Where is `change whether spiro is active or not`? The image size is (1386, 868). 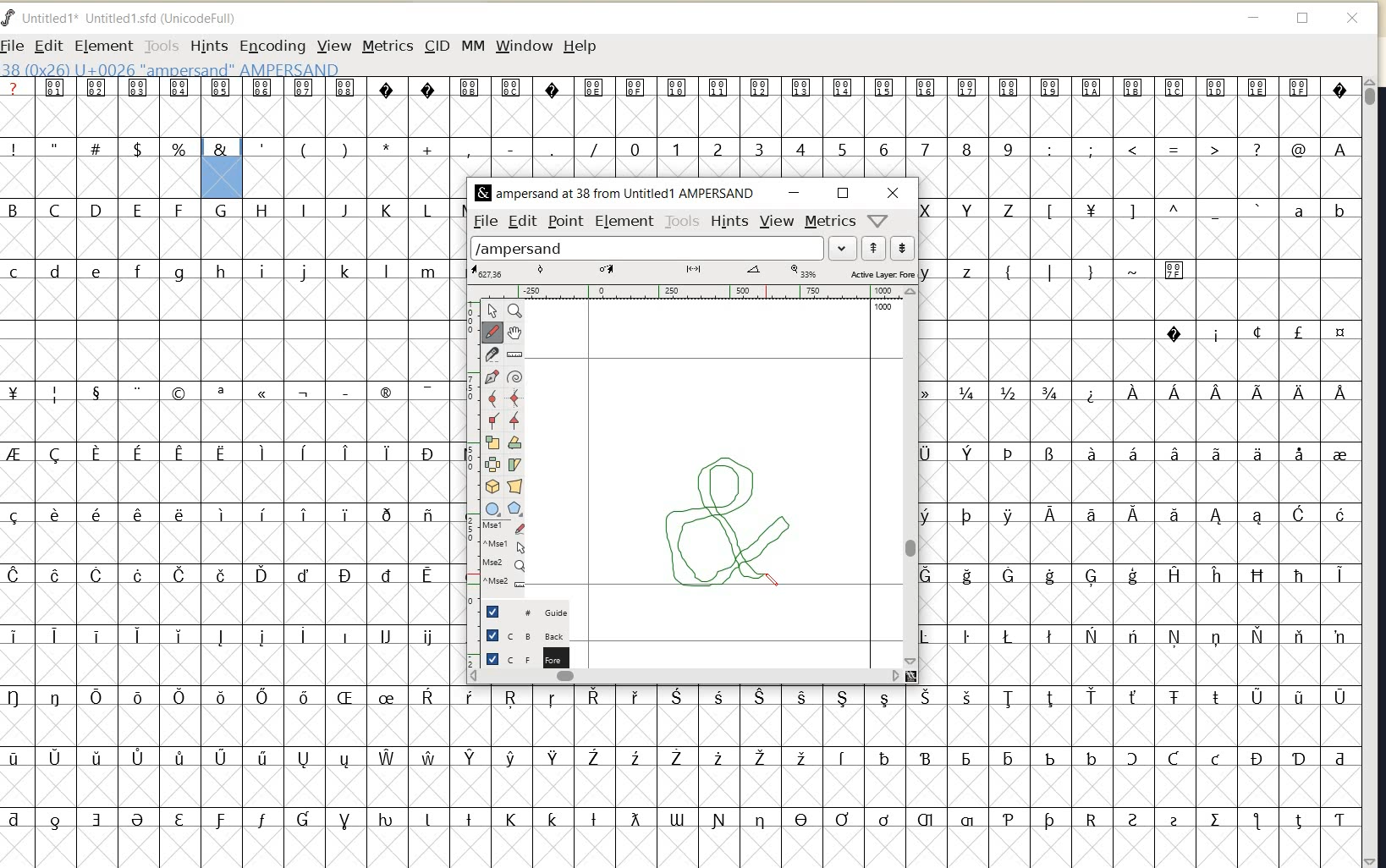
change whether spiro is active or not is located at coordinates (514, 376).